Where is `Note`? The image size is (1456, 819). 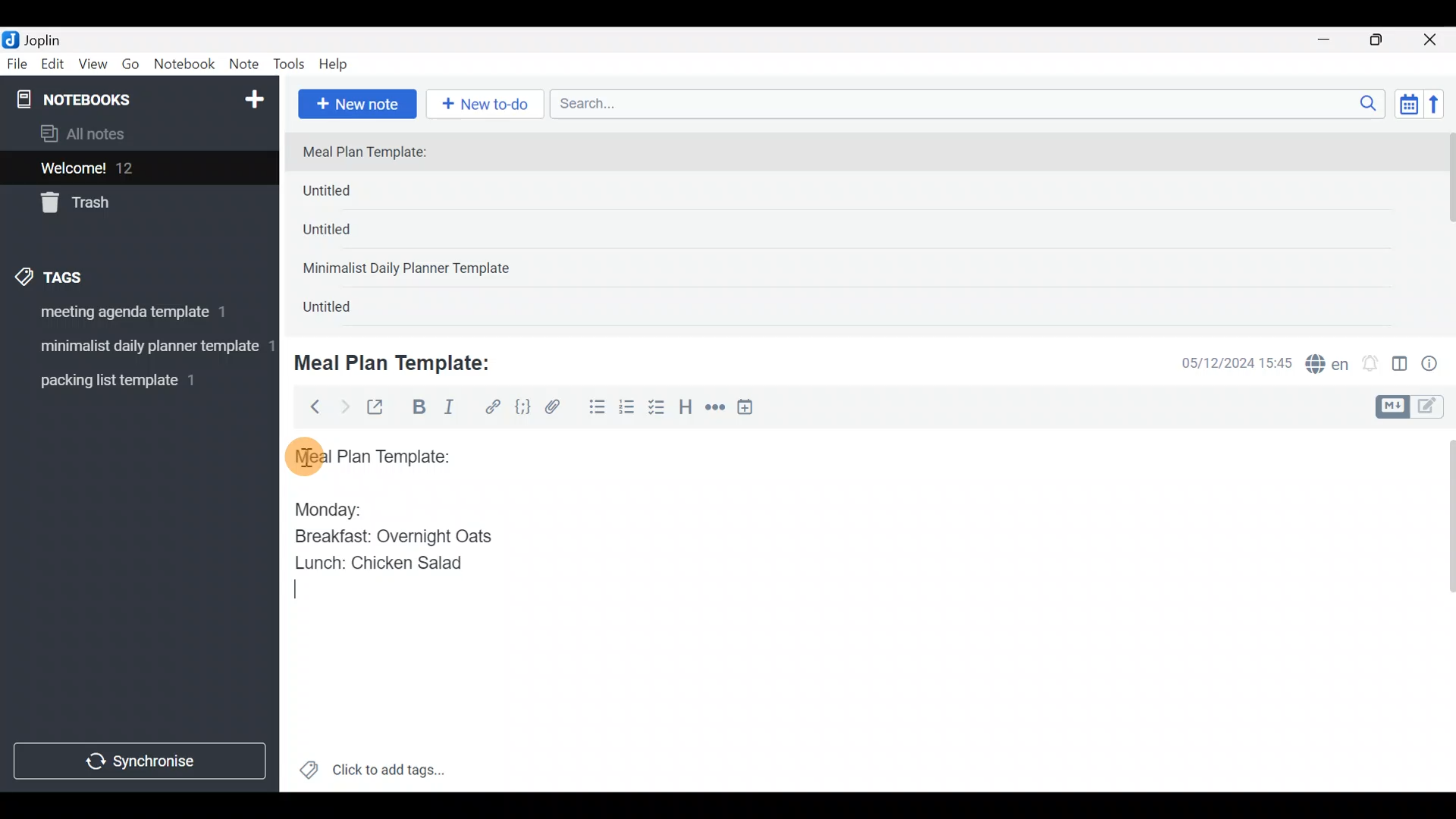 Note is located at coordinates (247, 65).